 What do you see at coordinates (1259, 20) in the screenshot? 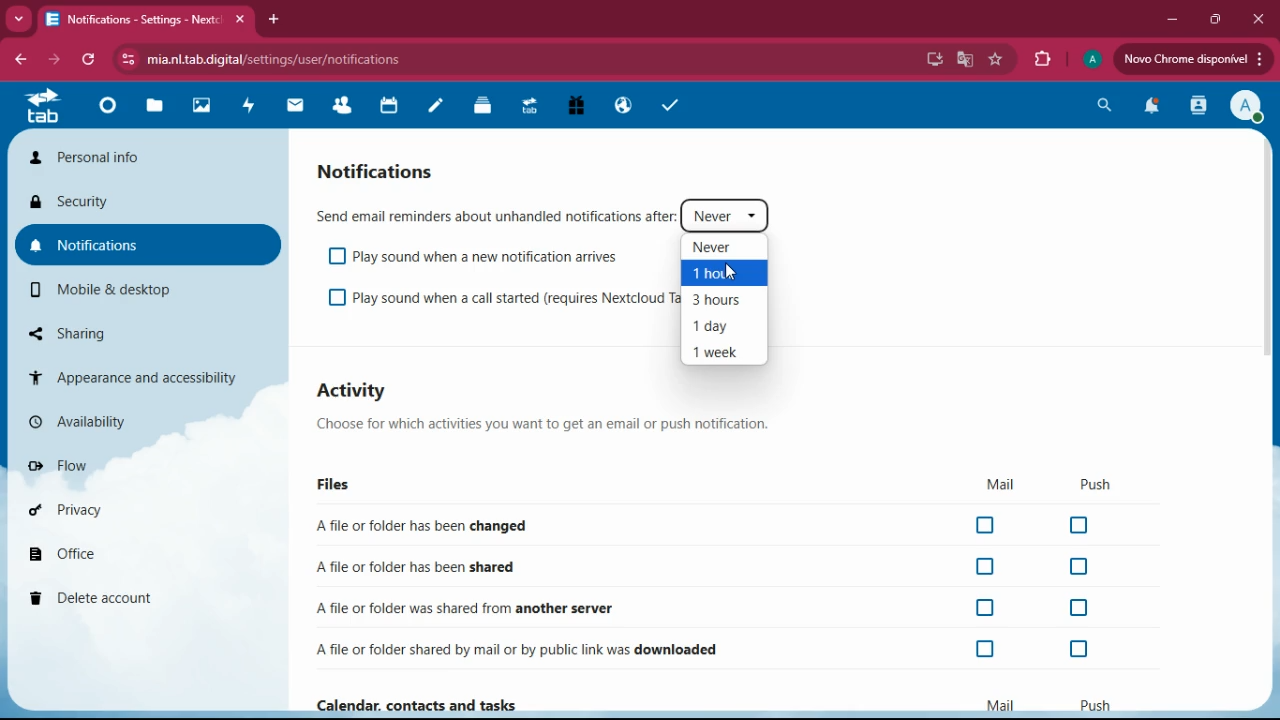
I see `close` at bounding box center [1259, 20].